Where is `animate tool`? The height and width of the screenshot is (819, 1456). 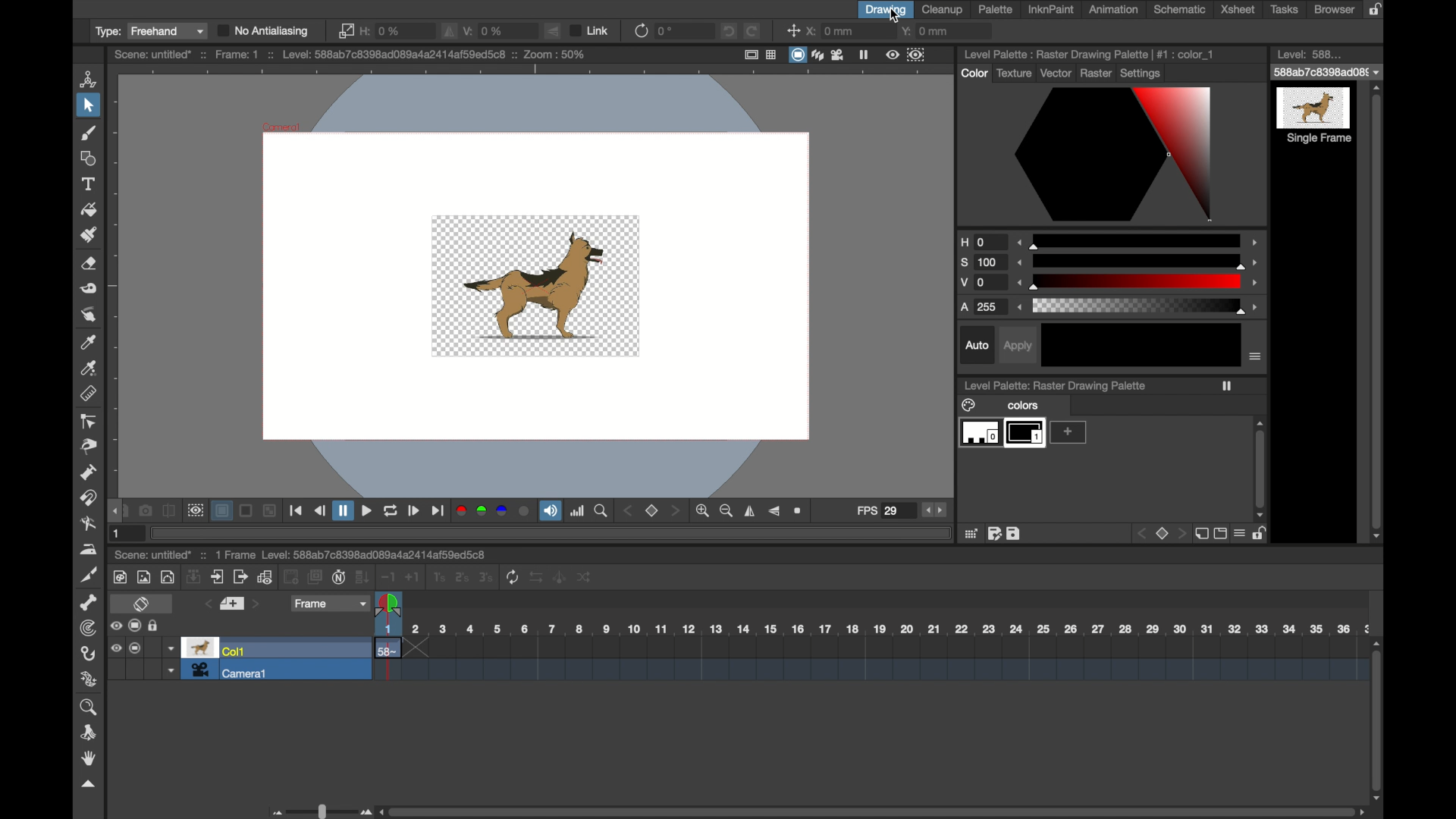 animate tool is located at coordinates (89, 78).